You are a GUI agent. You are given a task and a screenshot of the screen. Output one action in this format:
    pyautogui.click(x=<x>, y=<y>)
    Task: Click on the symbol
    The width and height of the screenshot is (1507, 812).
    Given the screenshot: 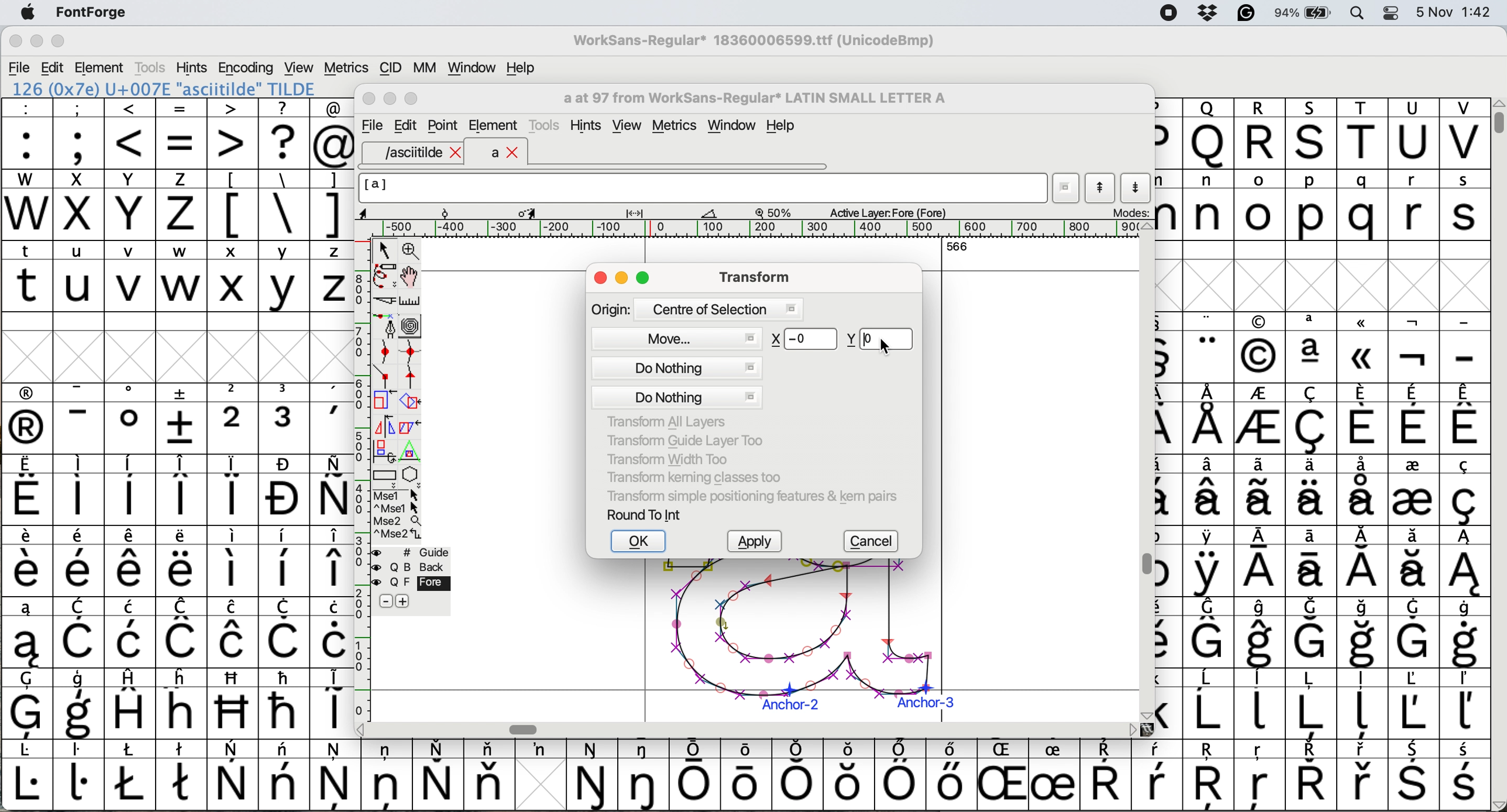 What is the action you would take?
    pyautogui.click(x=332, y=562)
    